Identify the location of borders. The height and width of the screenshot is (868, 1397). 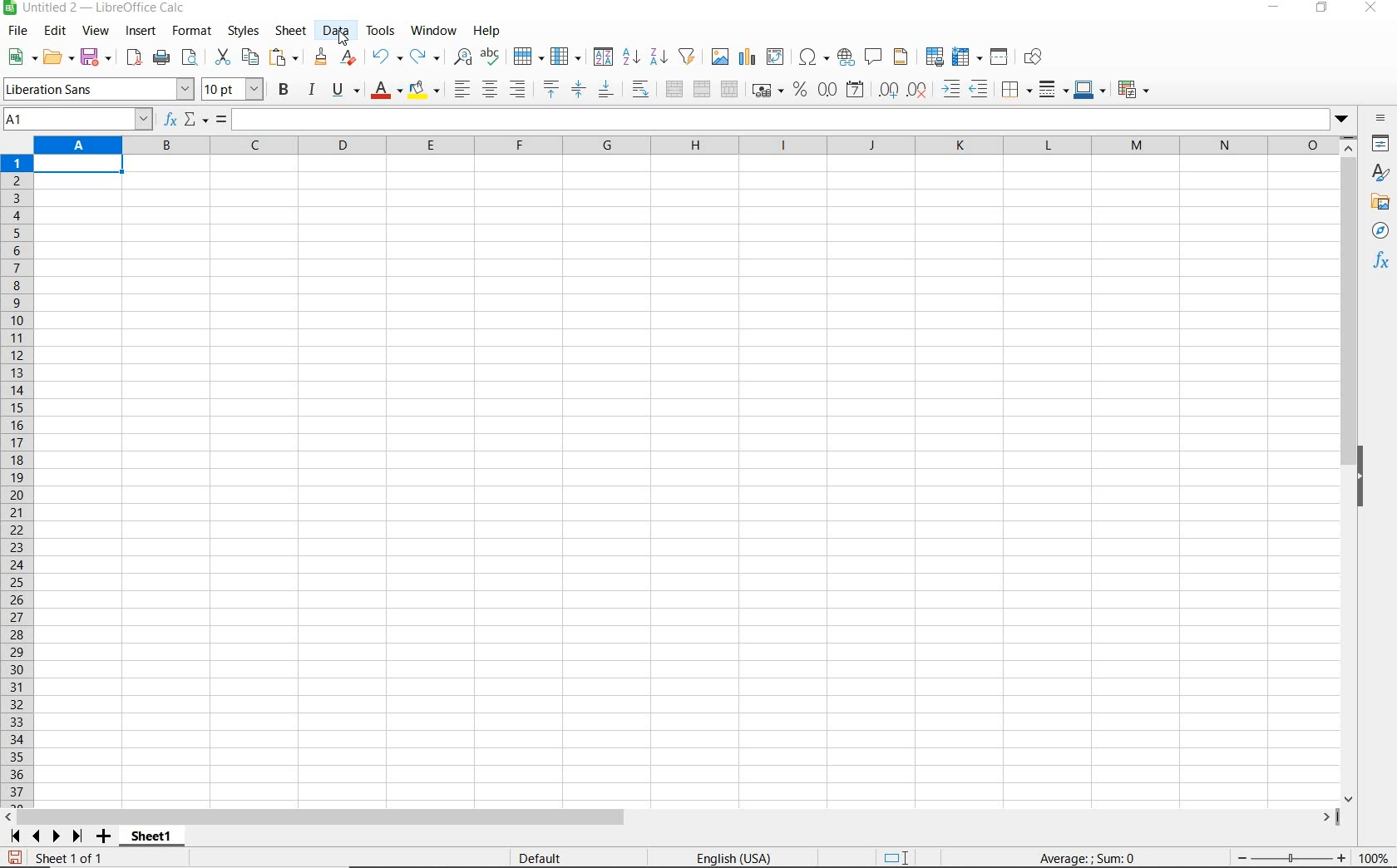
(1017, 90).